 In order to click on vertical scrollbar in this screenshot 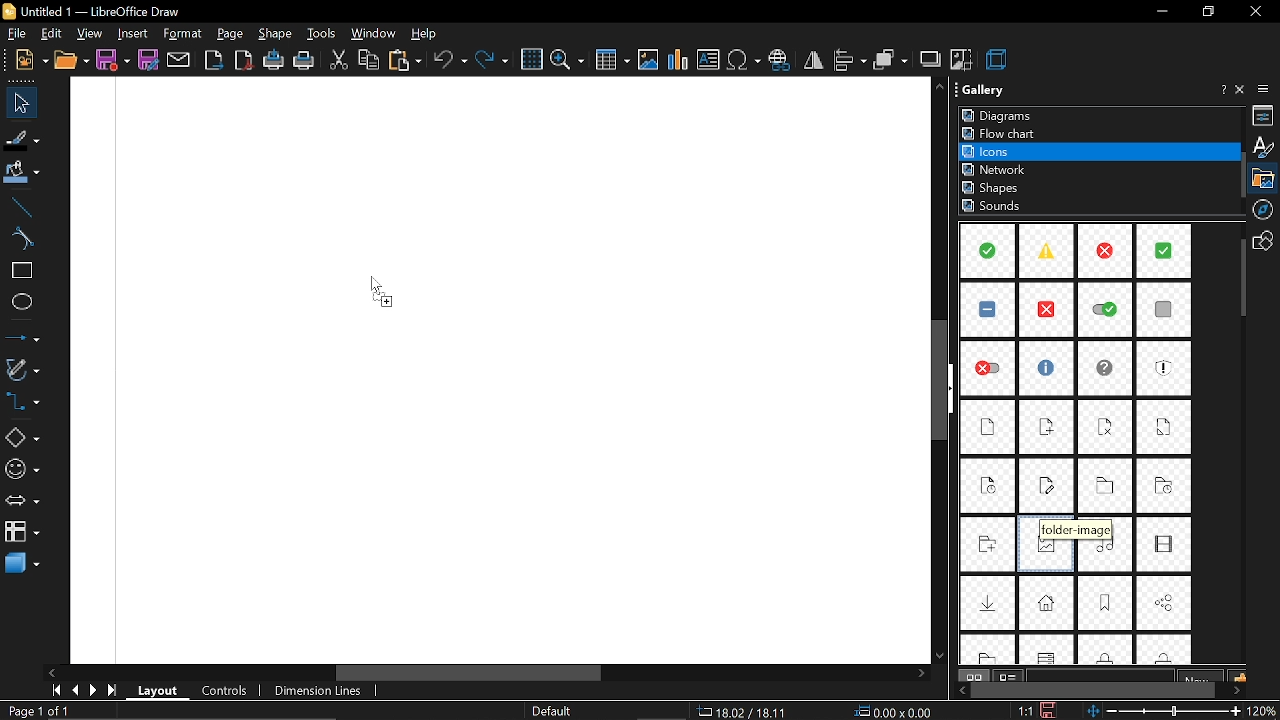, I will do `click(1240, 279)`.